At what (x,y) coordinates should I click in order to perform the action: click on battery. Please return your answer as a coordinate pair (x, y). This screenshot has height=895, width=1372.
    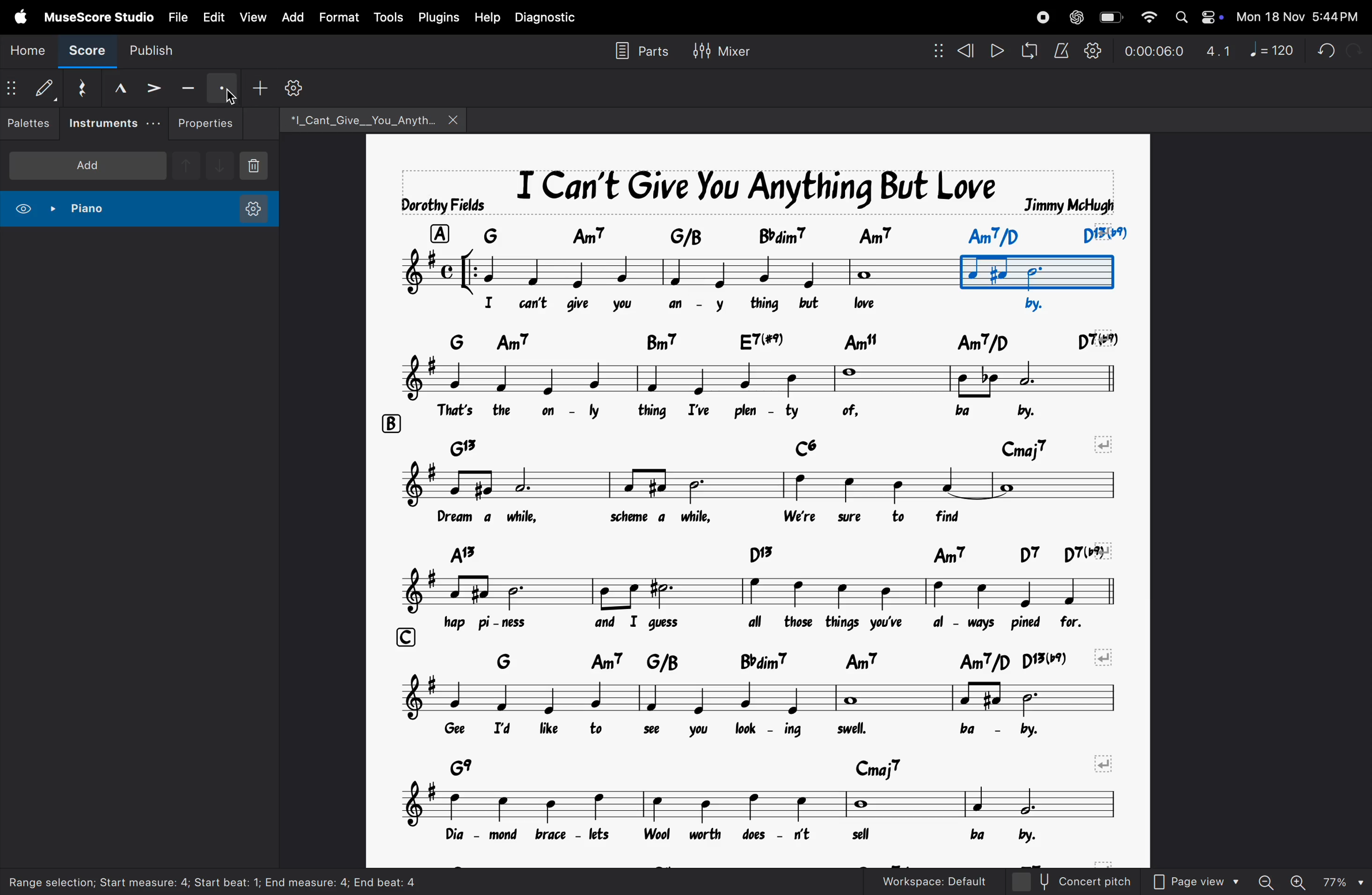
    Looking at the image, I should click on (1108, 17).